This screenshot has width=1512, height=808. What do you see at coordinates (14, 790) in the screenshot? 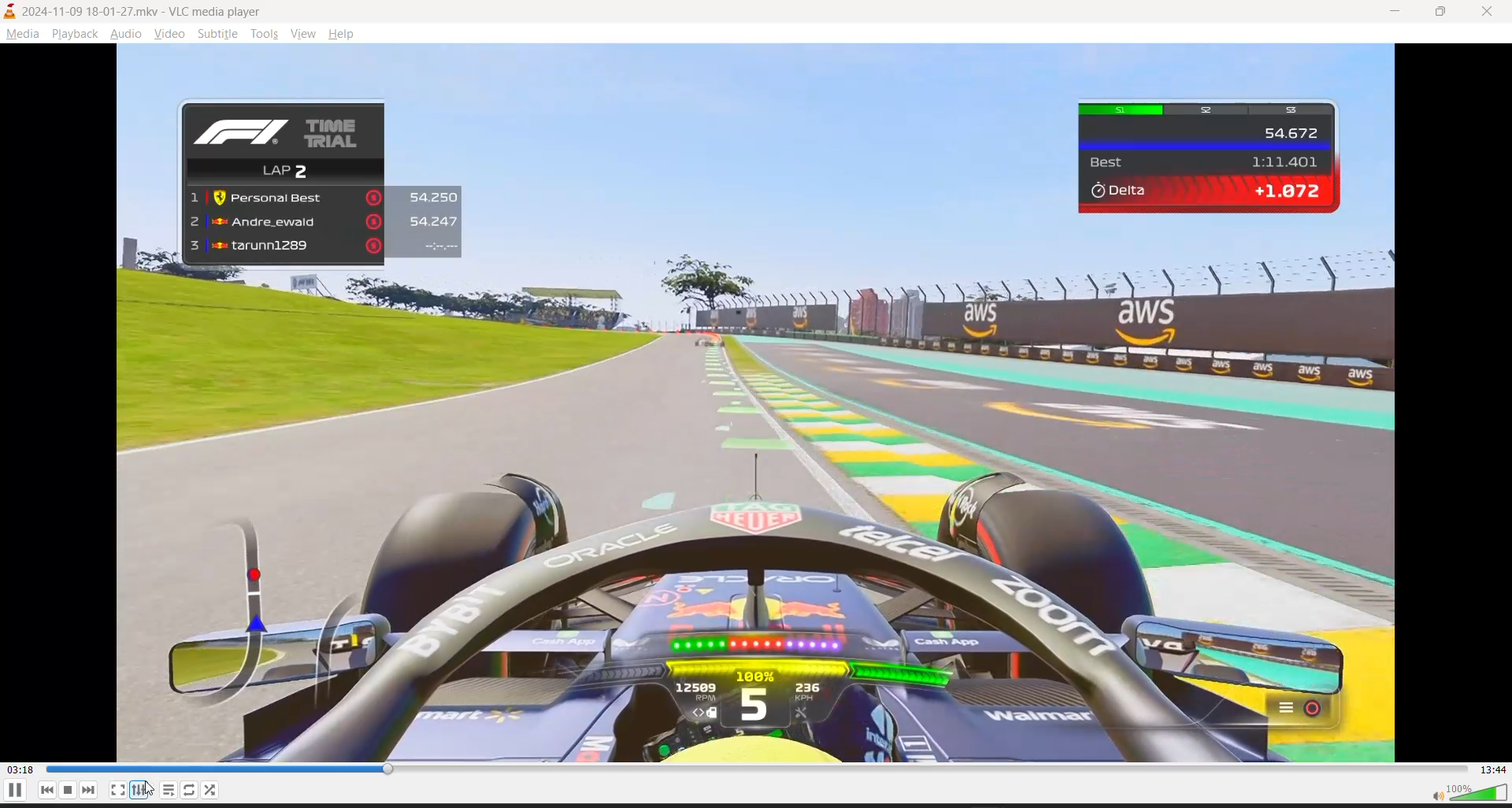
I see `pause` at bounding box center [14, 790].